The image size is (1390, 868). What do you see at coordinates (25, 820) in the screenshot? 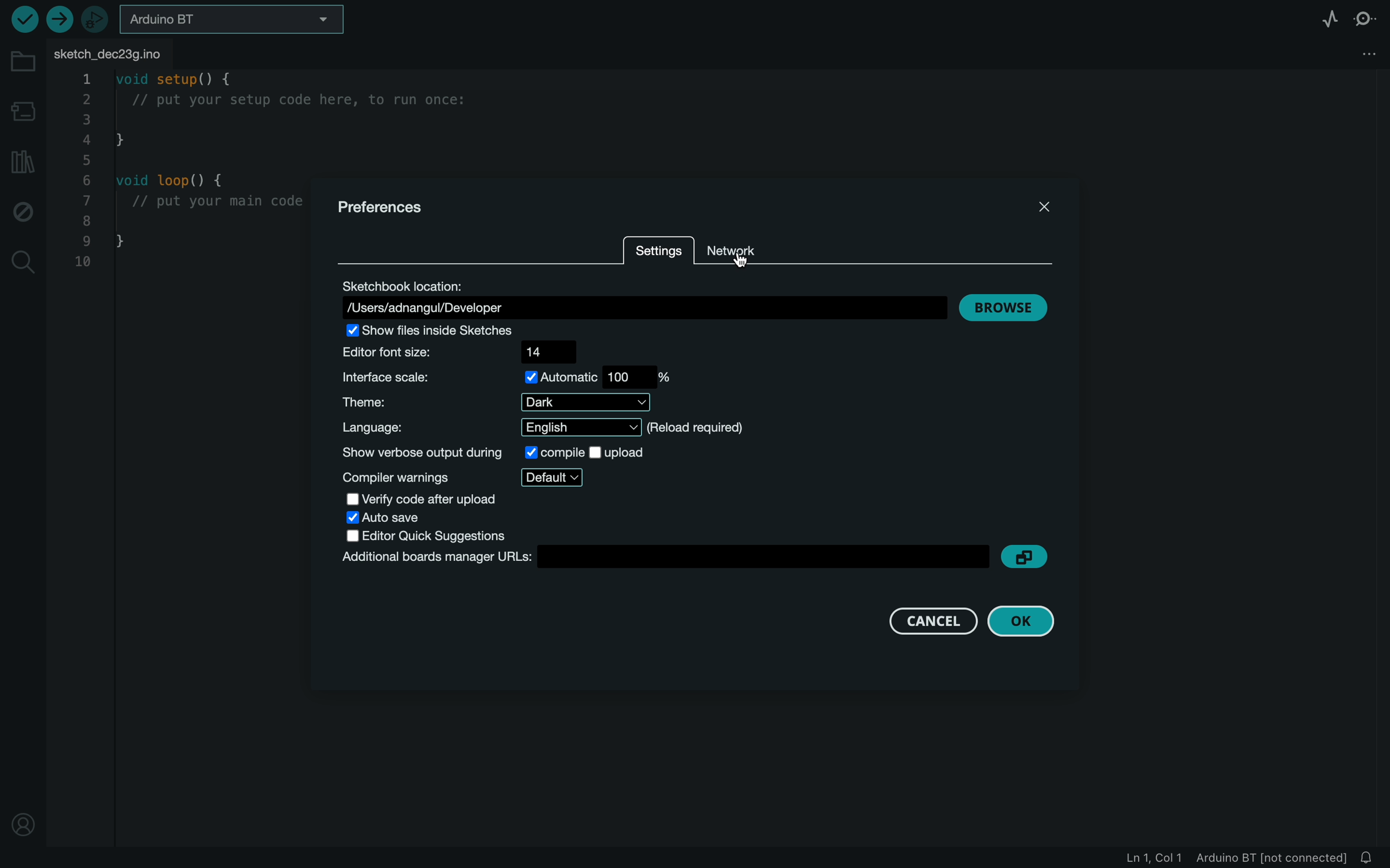
I see `profile` at bounding box center [25, 820].